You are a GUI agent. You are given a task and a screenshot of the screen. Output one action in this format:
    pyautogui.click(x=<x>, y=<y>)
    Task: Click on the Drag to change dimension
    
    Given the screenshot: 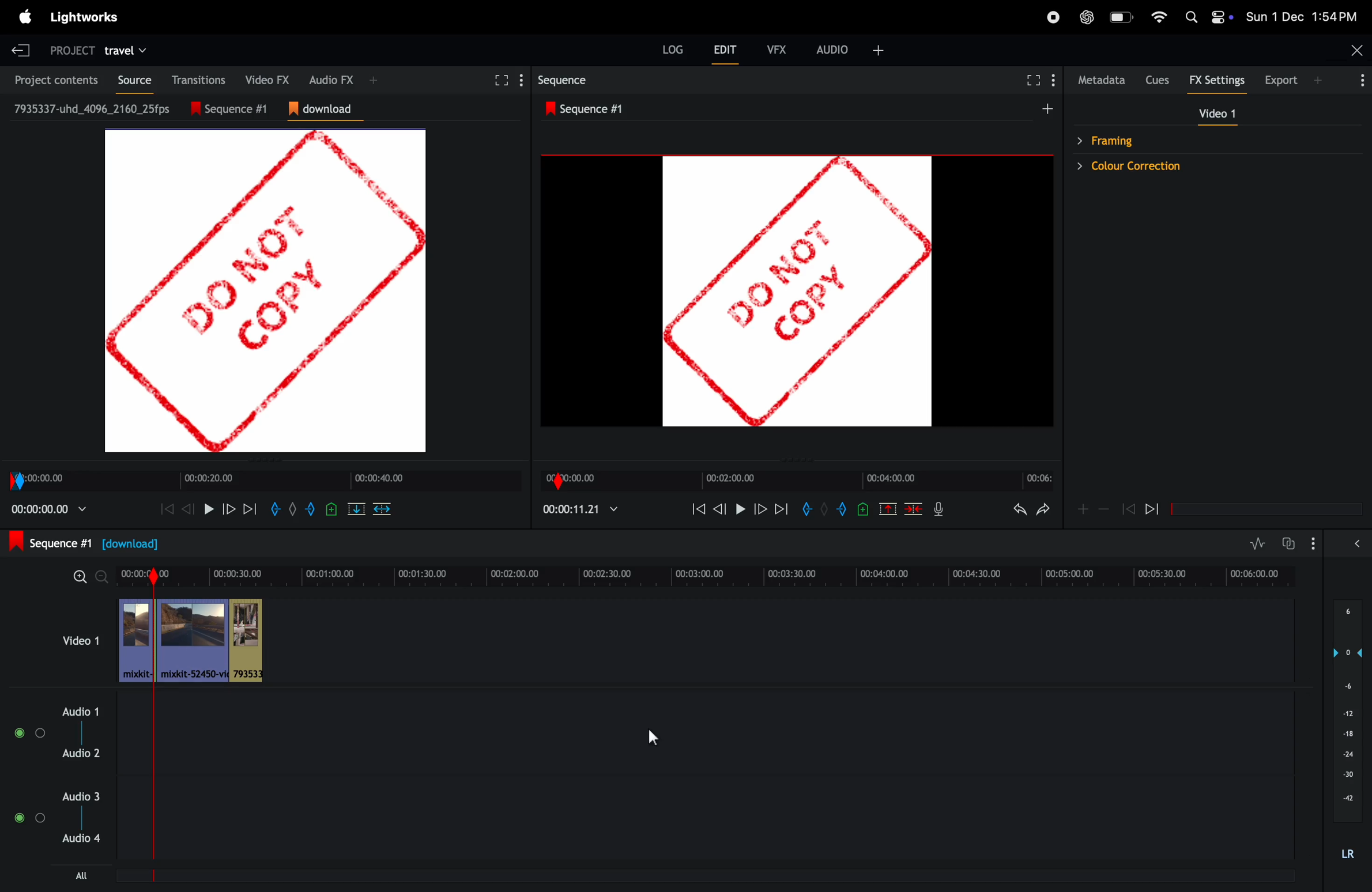 What is the action you would take?
    pyautogui.click(x=268, y=460)
    